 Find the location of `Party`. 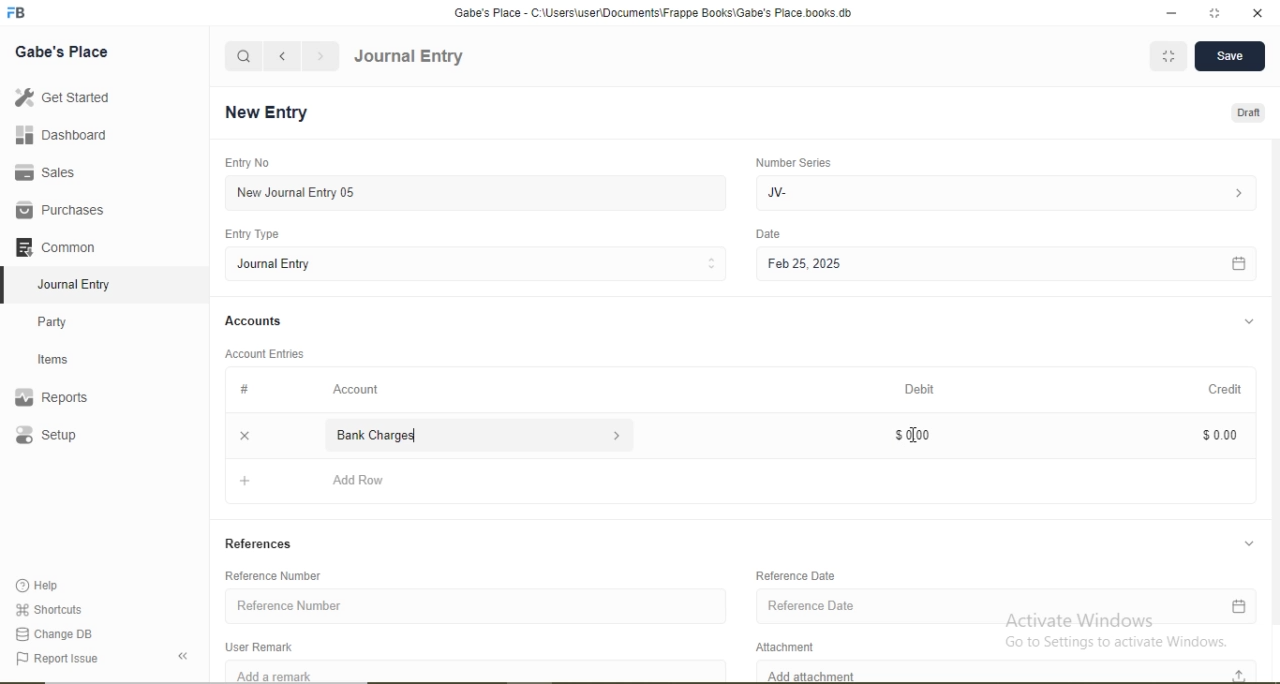

Party is located at coordinates (66, 320).